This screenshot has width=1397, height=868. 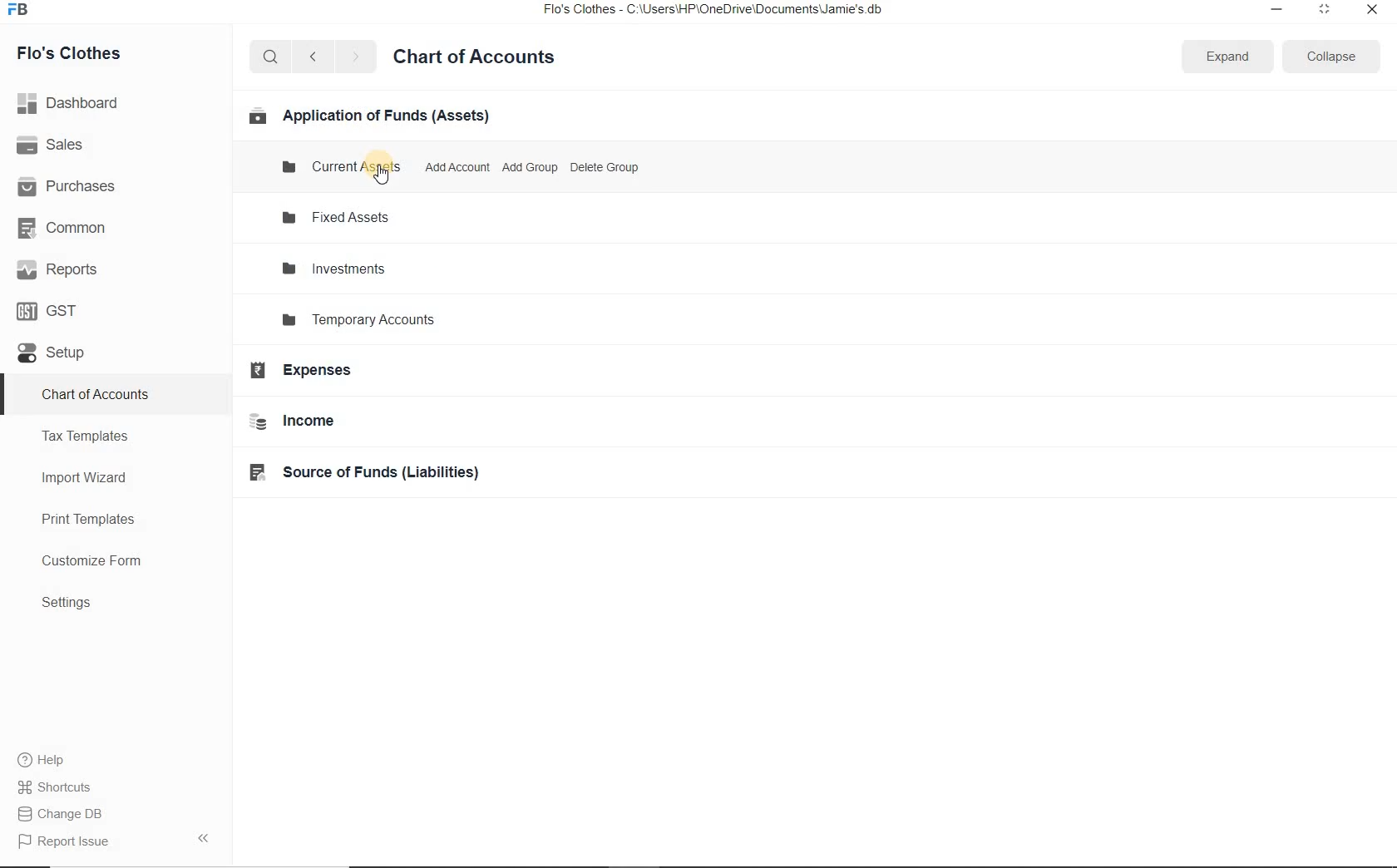 What do you see at coordinates (1371, 8) in the screenshot?
I see `close` at bounding box center [1371, 8].